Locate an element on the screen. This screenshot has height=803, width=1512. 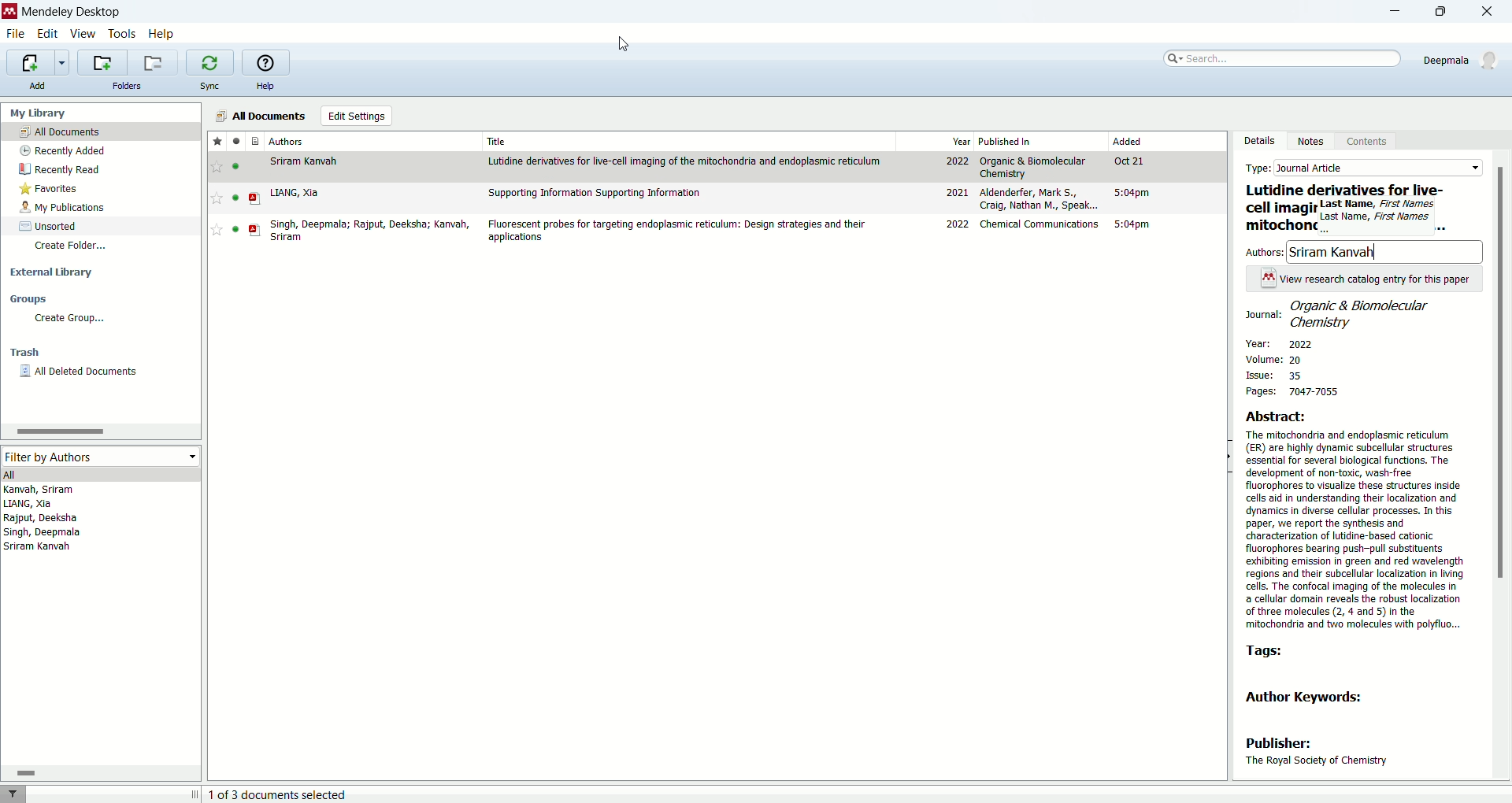
2022 is located at coordinates (957, 224).